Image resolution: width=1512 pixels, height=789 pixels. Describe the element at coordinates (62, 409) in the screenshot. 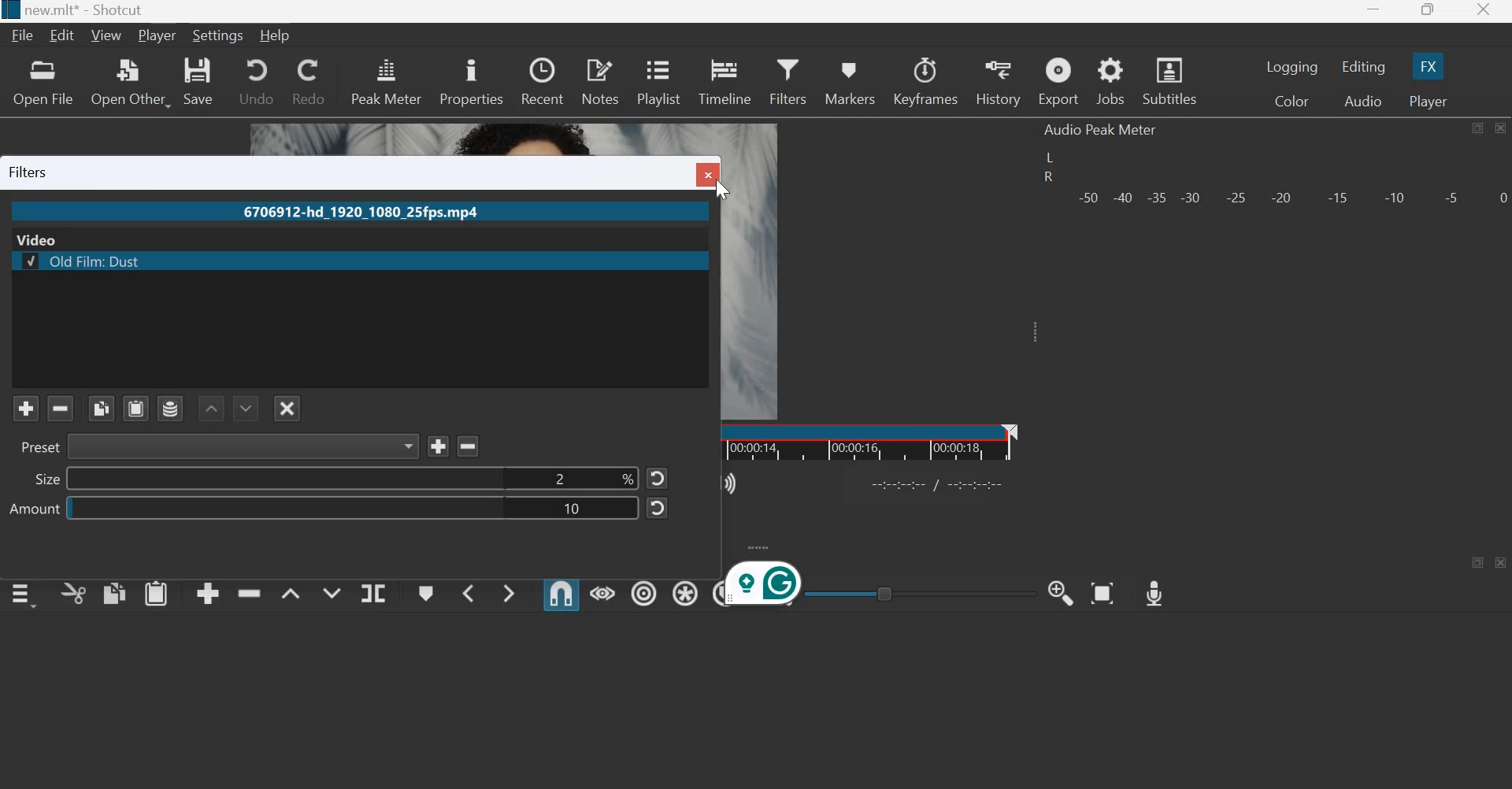

I see `Remove selected filter` at that location.